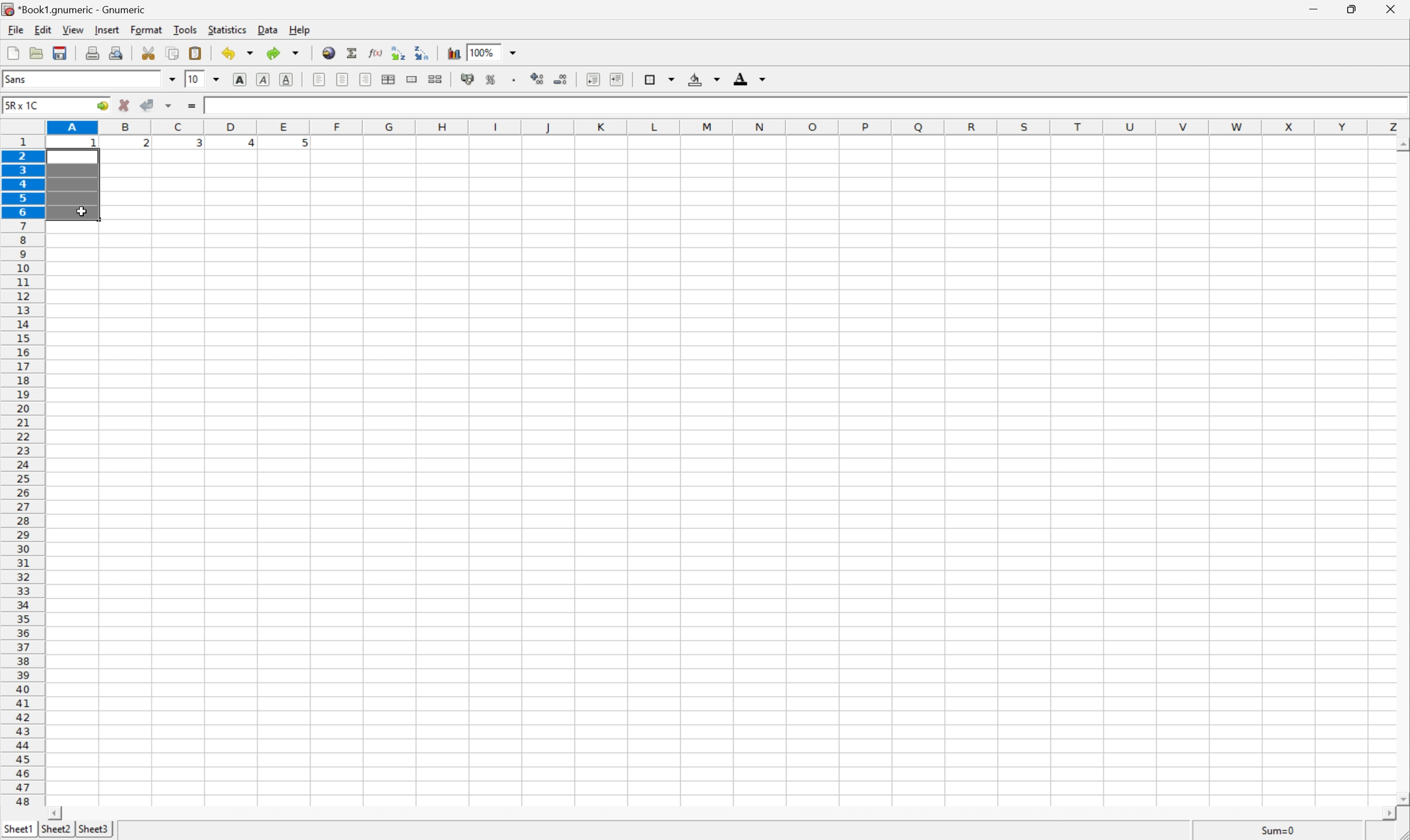  Describe the element at coordinates (389, 79) in the screenshot. I see `center horizontally` at that location.